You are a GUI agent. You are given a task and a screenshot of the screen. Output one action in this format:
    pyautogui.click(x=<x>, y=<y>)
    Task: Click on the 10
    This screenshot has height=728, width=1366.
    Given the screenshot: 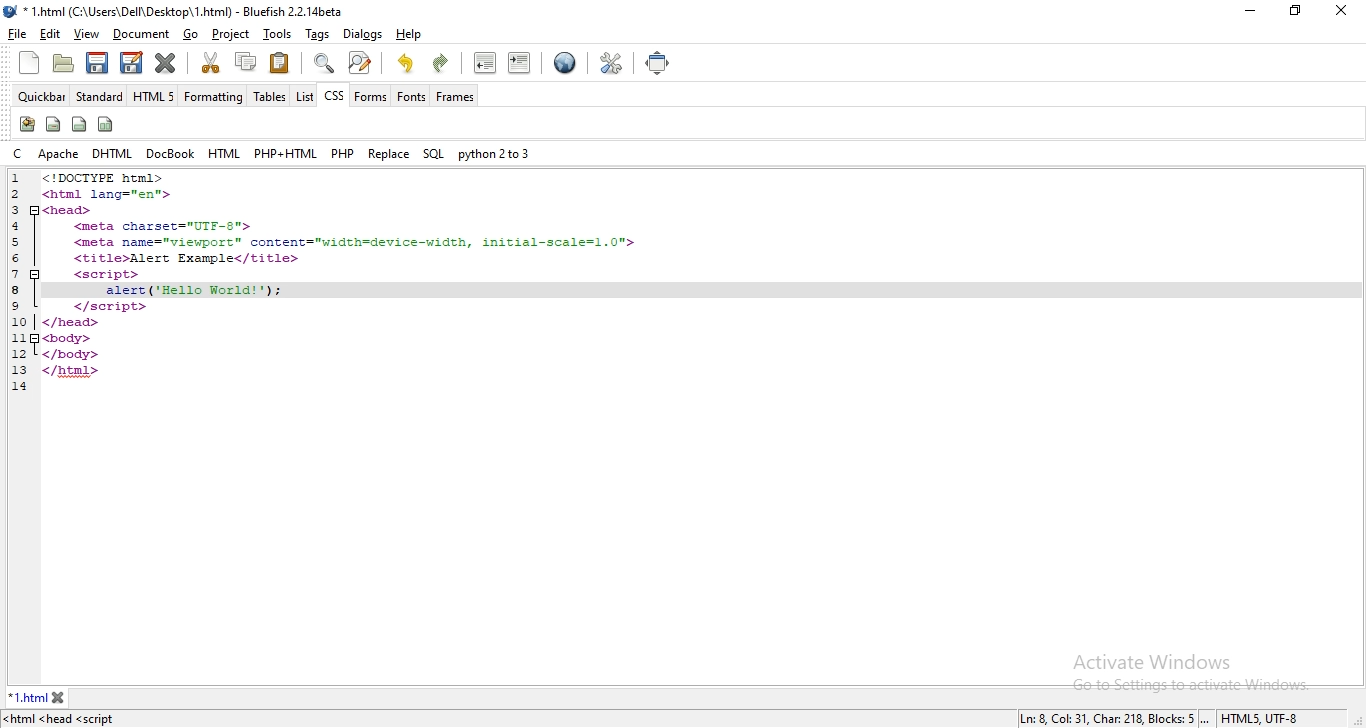 What is the action you would take?
    pyautogui.click(x=22, y=321)
    